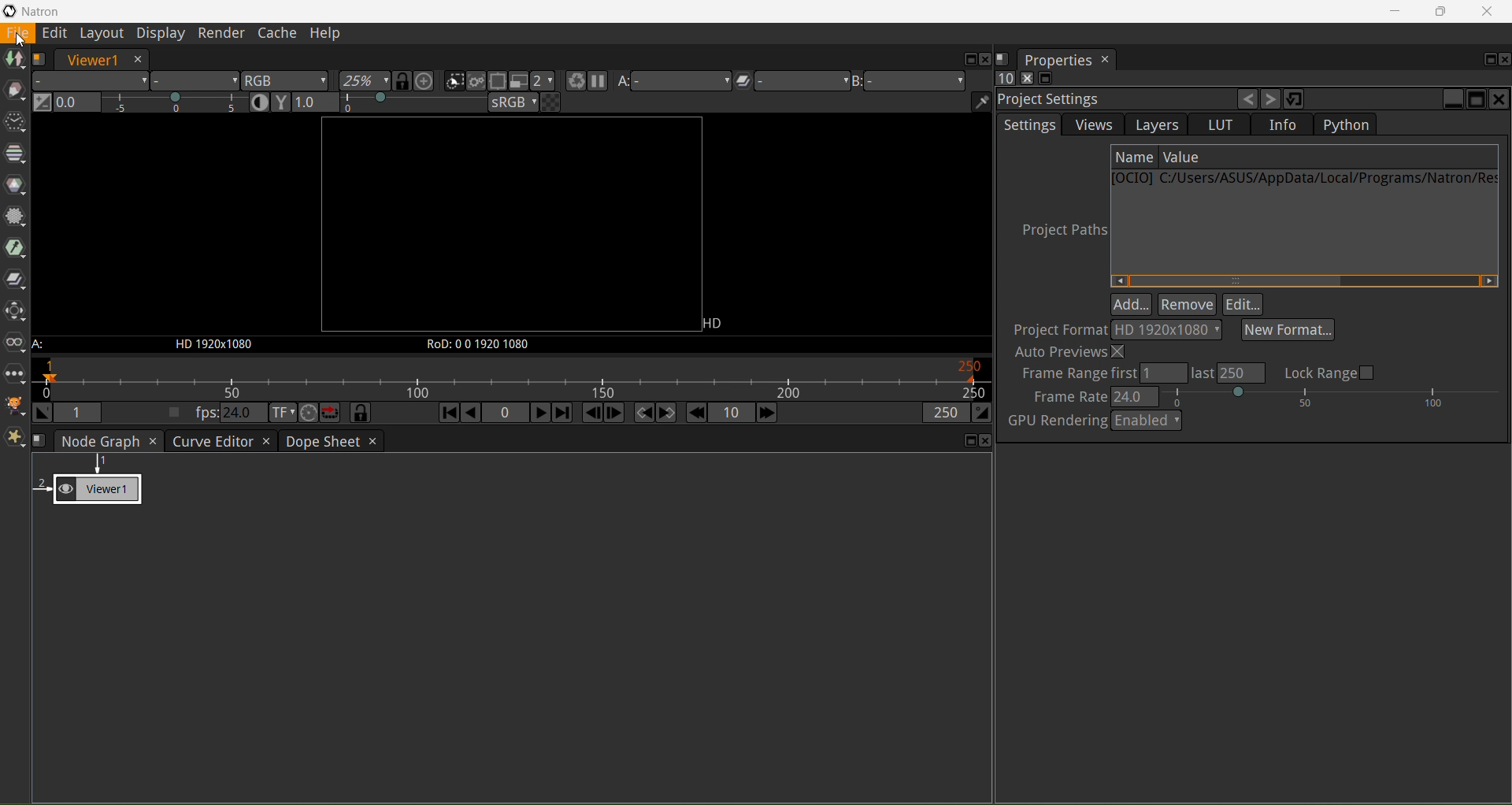 Image resolution: width=1512 pixels, height=805 pixels. Describe the element at coordinates (561, 414) in the screenshot. I see `Last frame` at that location.